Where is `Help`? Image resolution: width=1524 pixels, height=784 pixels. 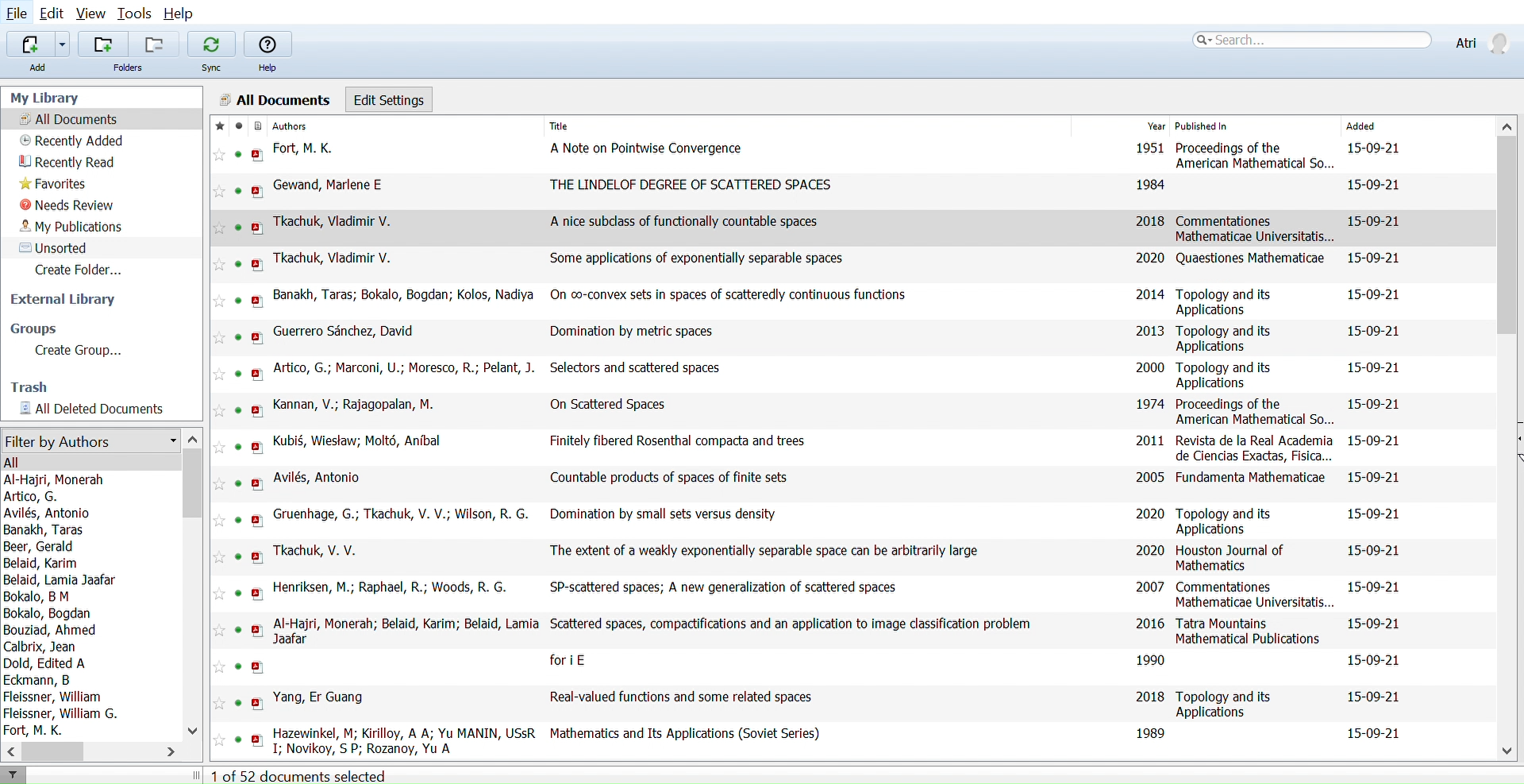 Help is located at coordinates (182, 14).